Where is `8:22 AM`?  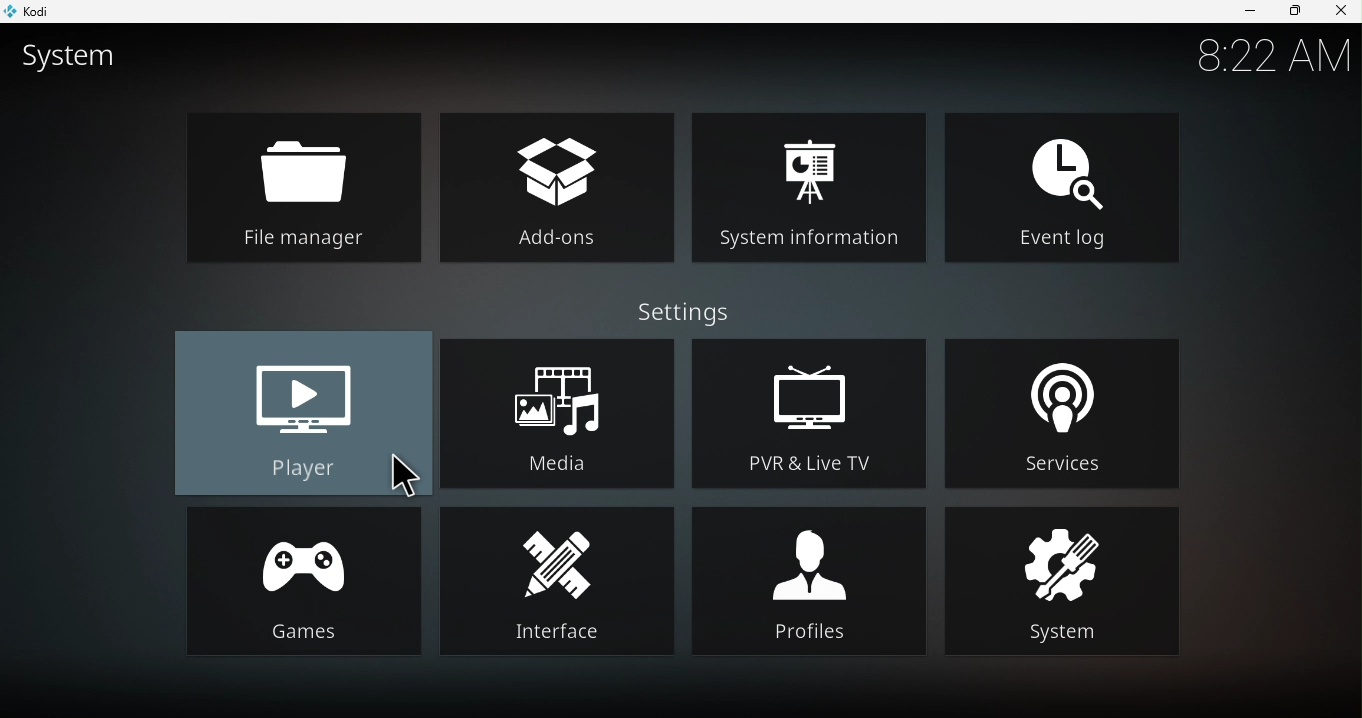
8:22 AM is located at coordinates (1271, 63).